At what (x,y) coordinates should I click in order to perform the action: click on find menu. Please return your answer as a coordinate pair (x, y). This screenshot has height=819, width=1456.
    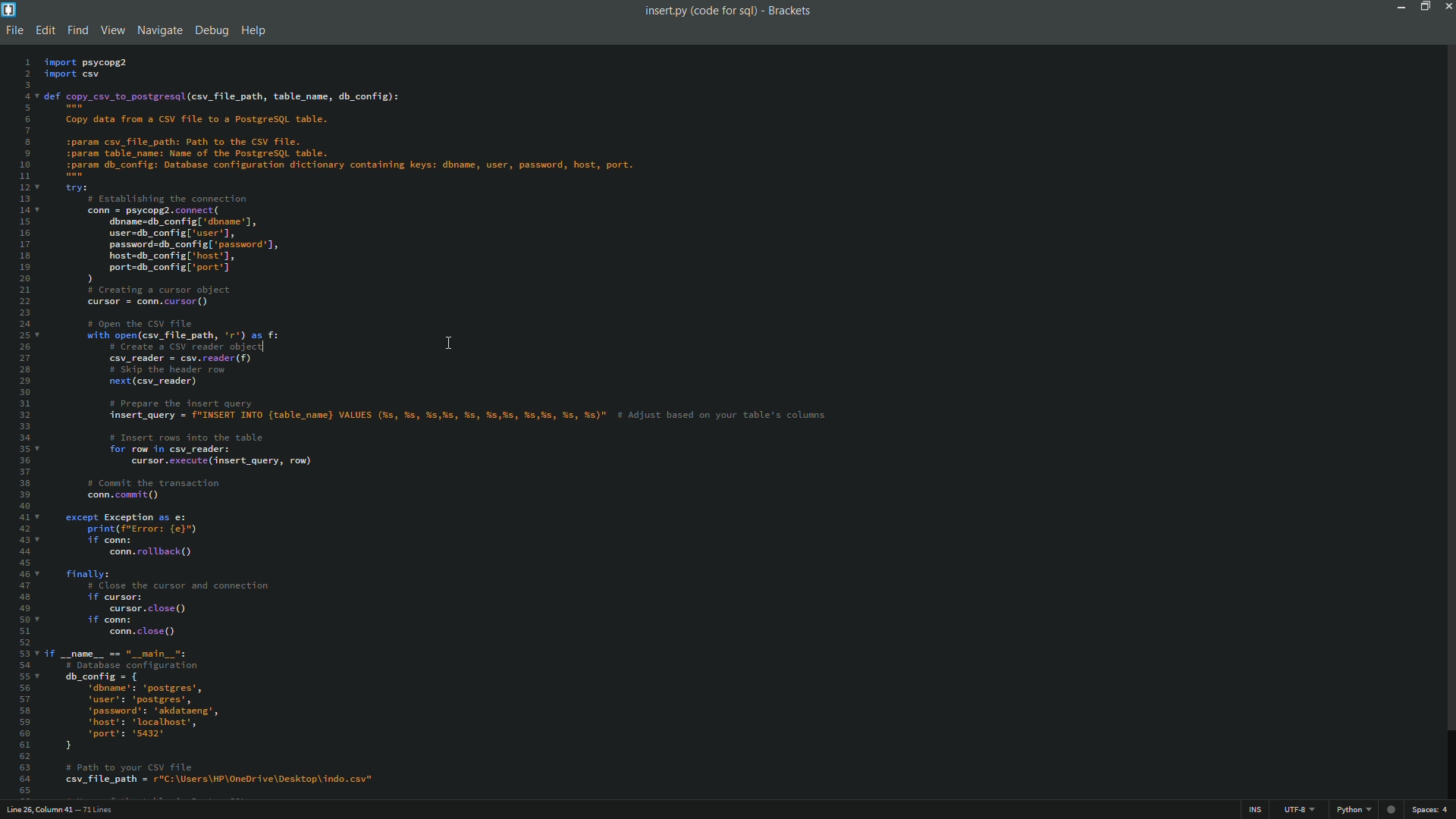
    Looking at the image, I should click on (75, 30).